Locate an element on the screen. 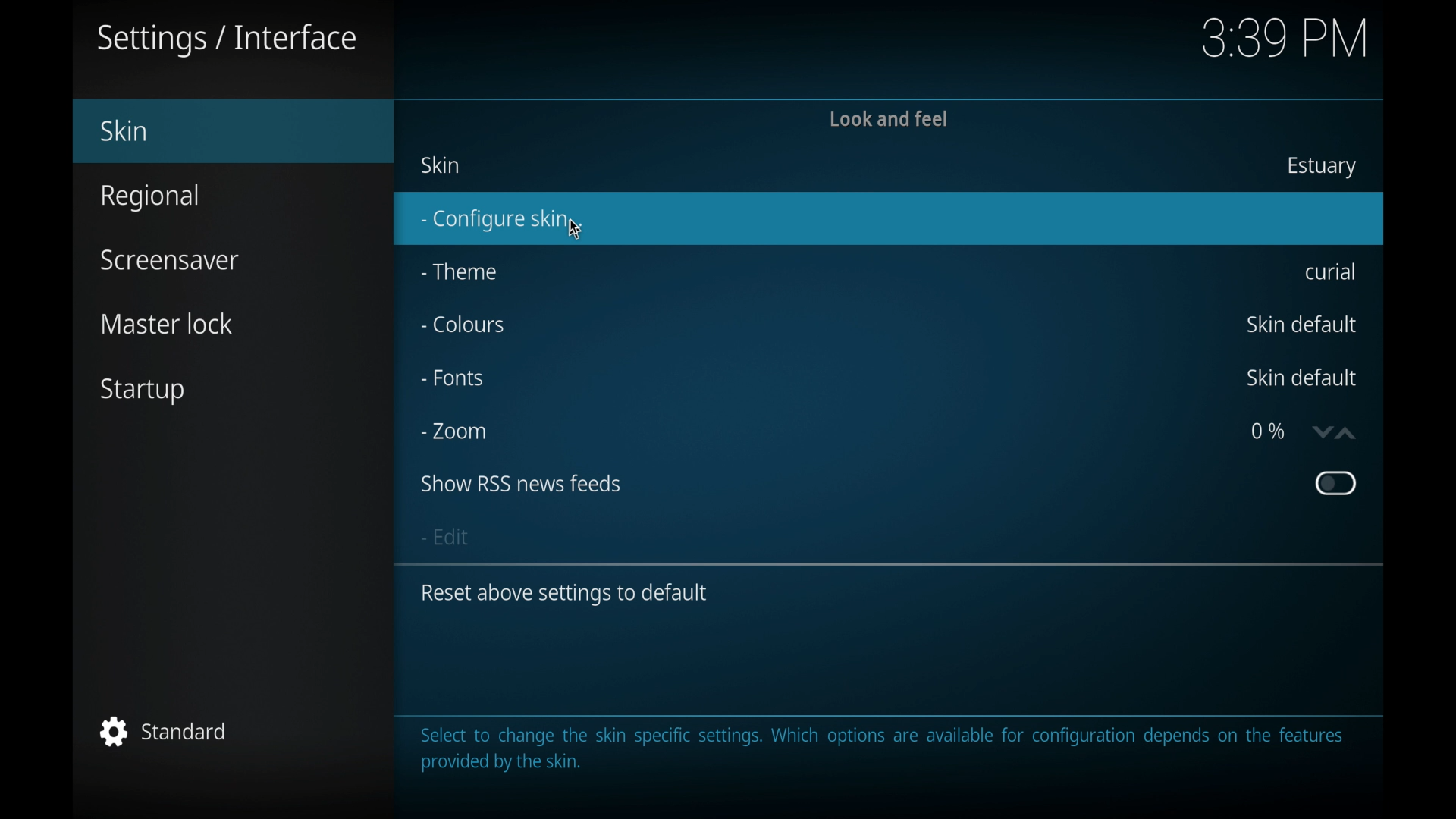  curial is located at coordinates (1330, 272).